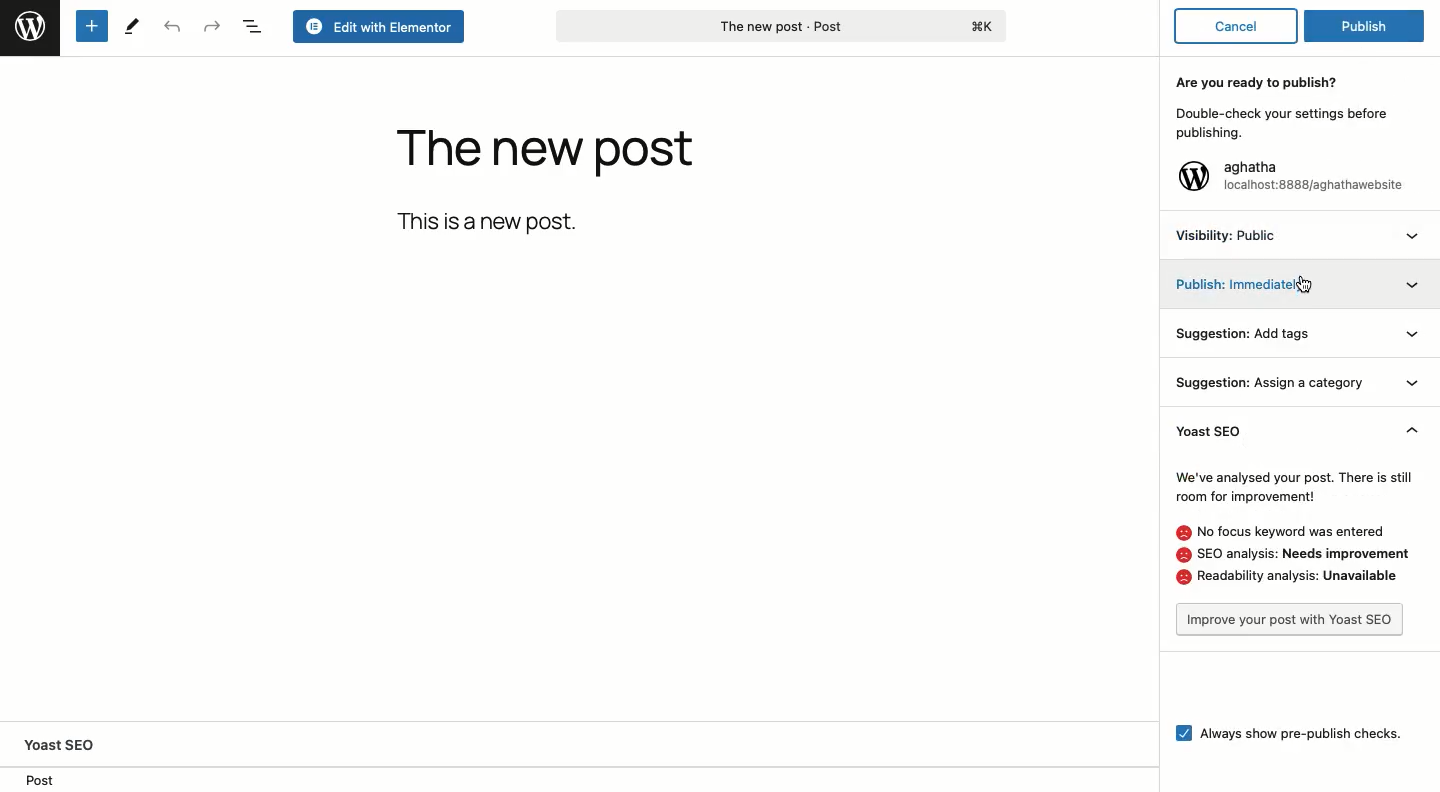 This screenshot has width=1440, height=792. Describe the element at coordinates (1297, 527) in the screenshot. I see `We've analysed your post. There is stillroom for improvement! No focus keyword was entered@ SEO analysis: Needs improvement.  Readability analysis: Unavailable` at that location.